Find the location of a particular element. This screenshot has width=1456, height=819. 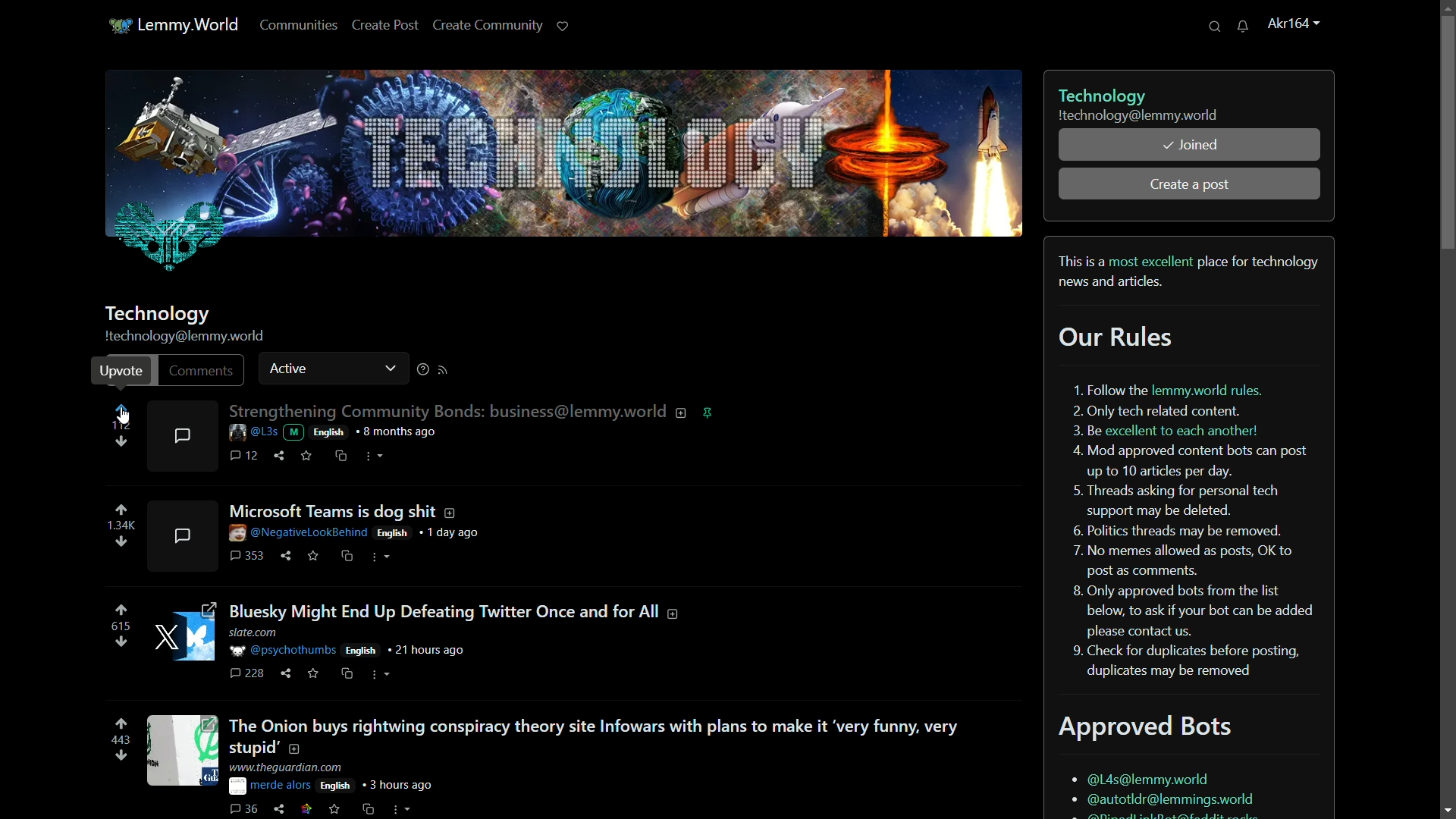

downvote is located at coordinates (121, 542).